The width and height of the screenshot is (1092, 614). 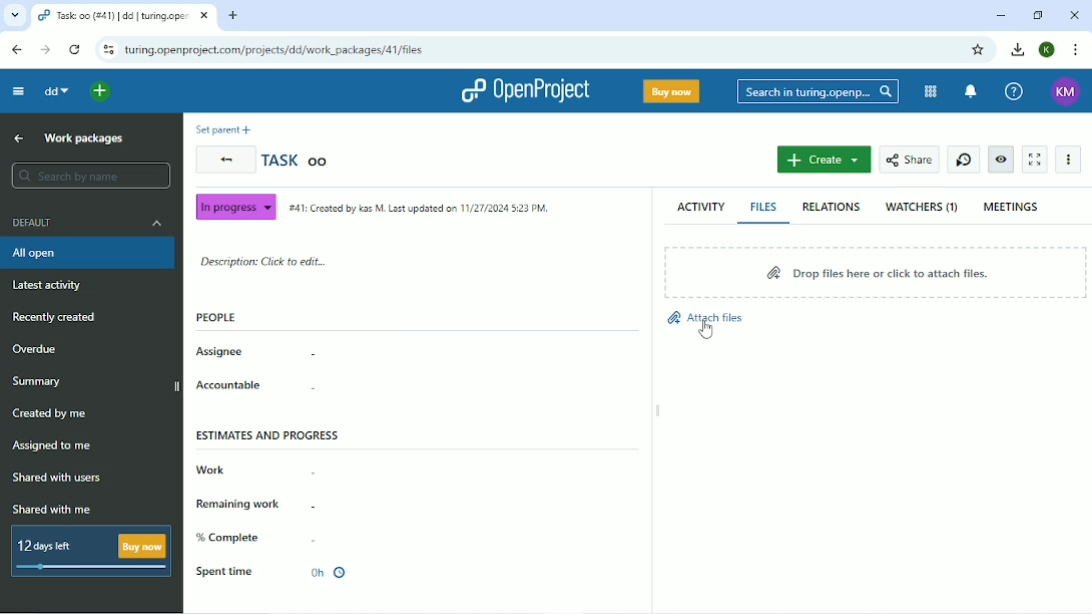 What do you see at coordinates (87, 551) in the screenshot?
I see `12 days left buy now` at bounding box center [87, 551].